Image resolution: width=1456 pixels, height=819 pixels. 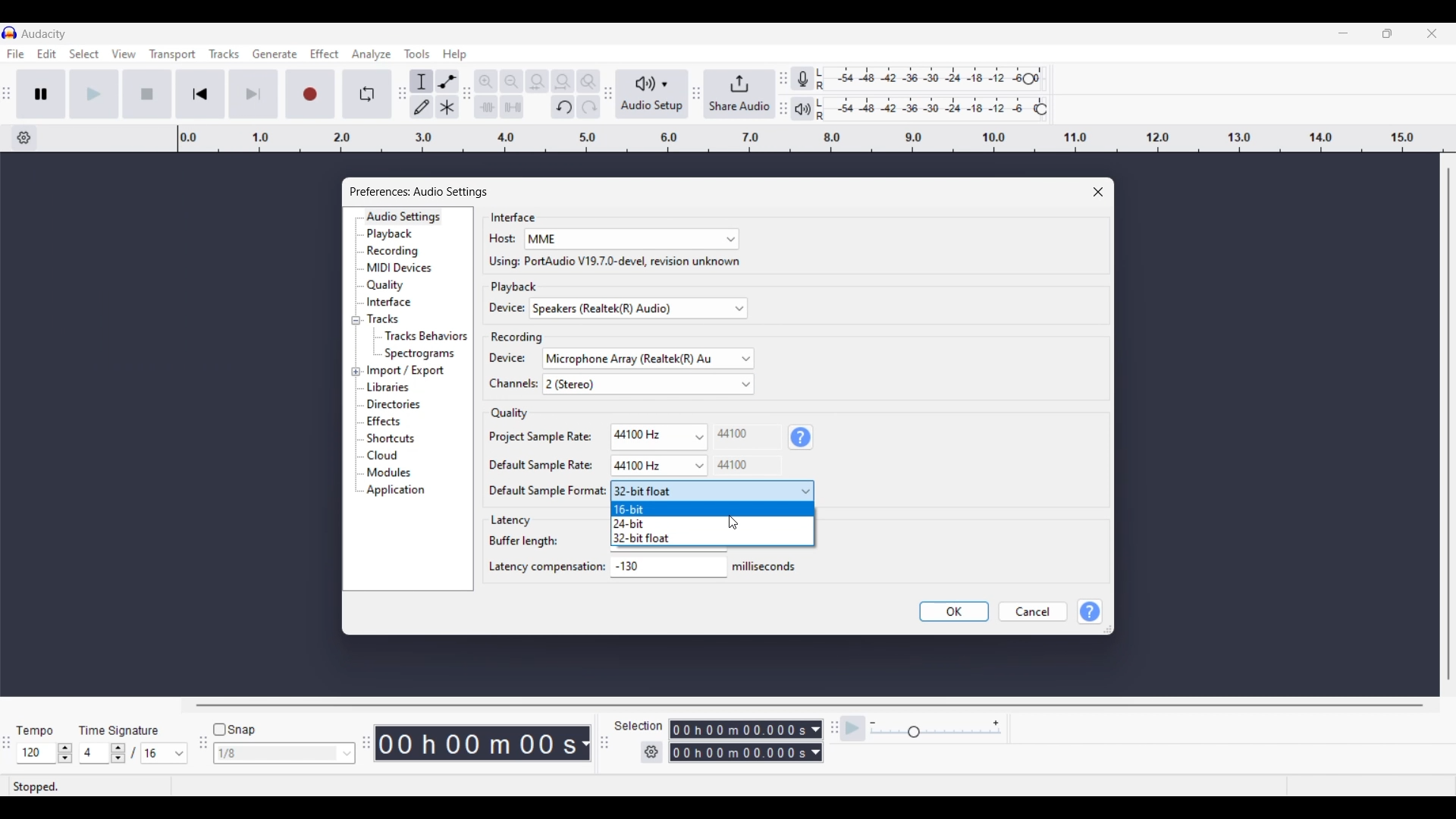 What do you see at coordinates (711, 523) in the screenshot?
I see `24 bit` at bounding box center [711, 523].